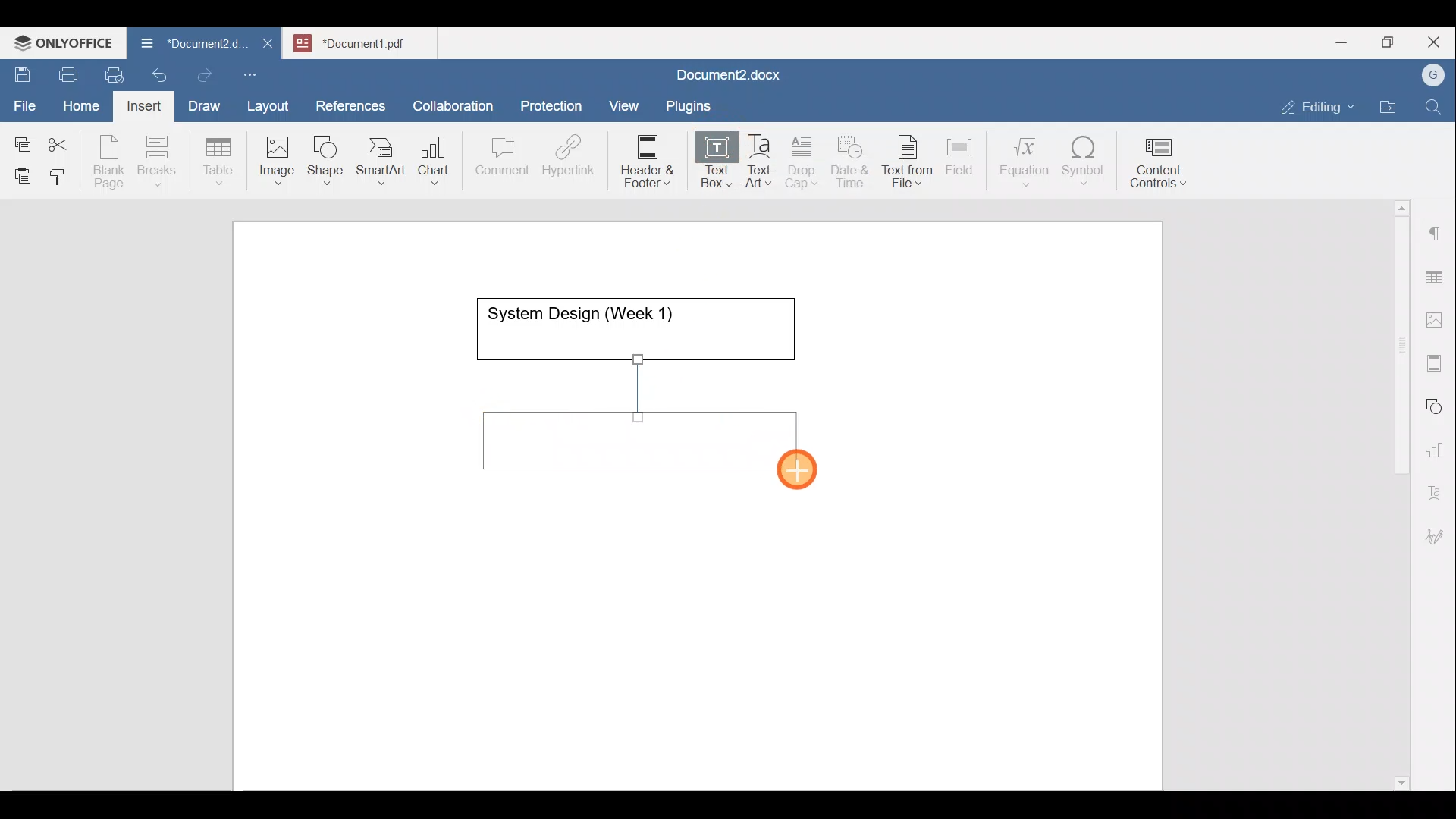  Describe the element at coordinates (642, 160) in the screenshot. I see `Header & footer` at that location.